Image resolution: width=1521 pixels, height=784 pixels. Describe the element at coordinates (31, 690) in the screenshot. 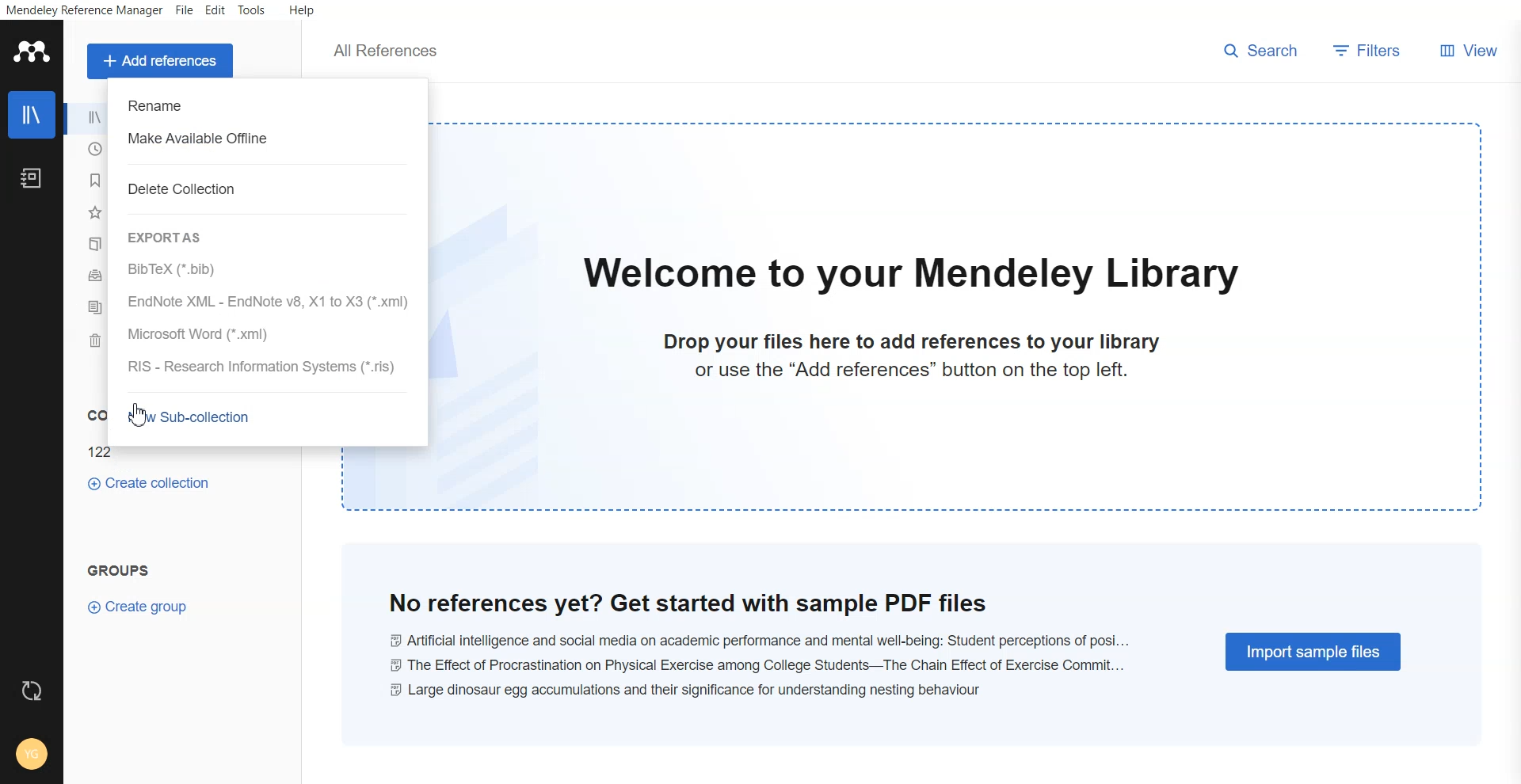

I see `Refresh` at that location.